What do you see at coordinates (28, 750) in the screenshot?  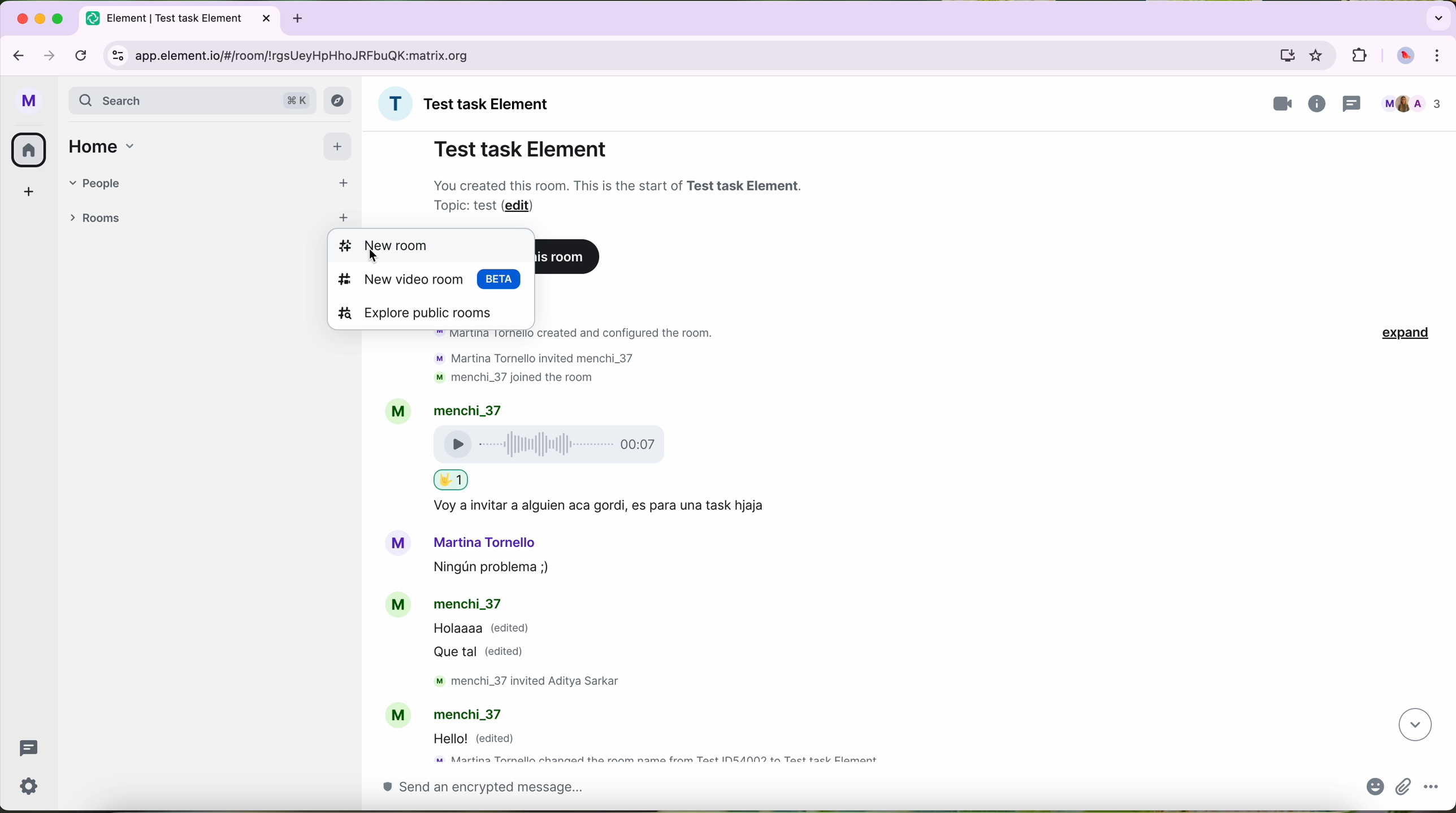 I see `threads` at bounding box center [28, 750].